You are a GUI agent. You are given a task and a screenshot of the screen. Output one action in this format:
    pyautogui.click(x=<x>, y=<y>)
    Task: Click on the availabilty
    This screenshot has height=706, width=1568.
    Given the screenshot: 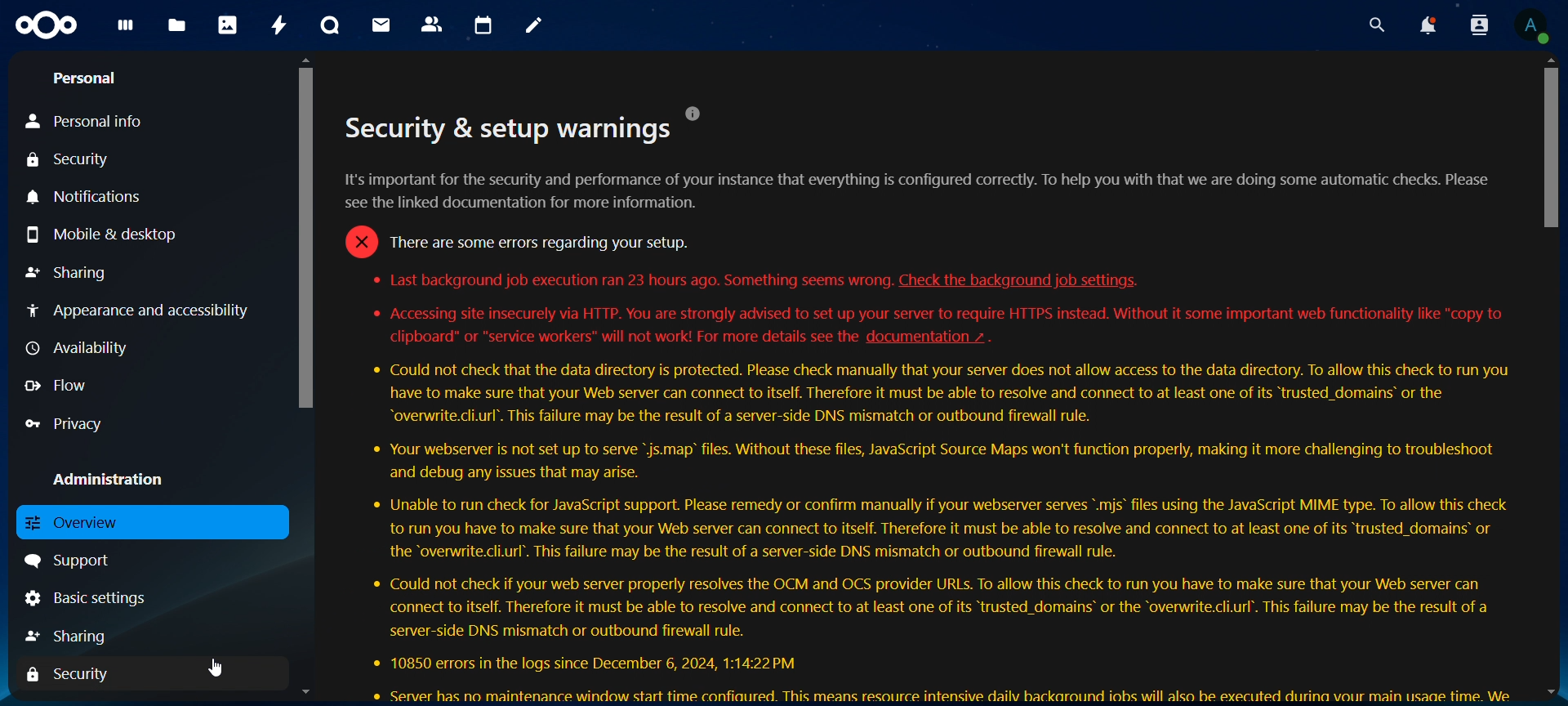 What is the action you would take?
    pyautogui.click(x=84, y=346)
    